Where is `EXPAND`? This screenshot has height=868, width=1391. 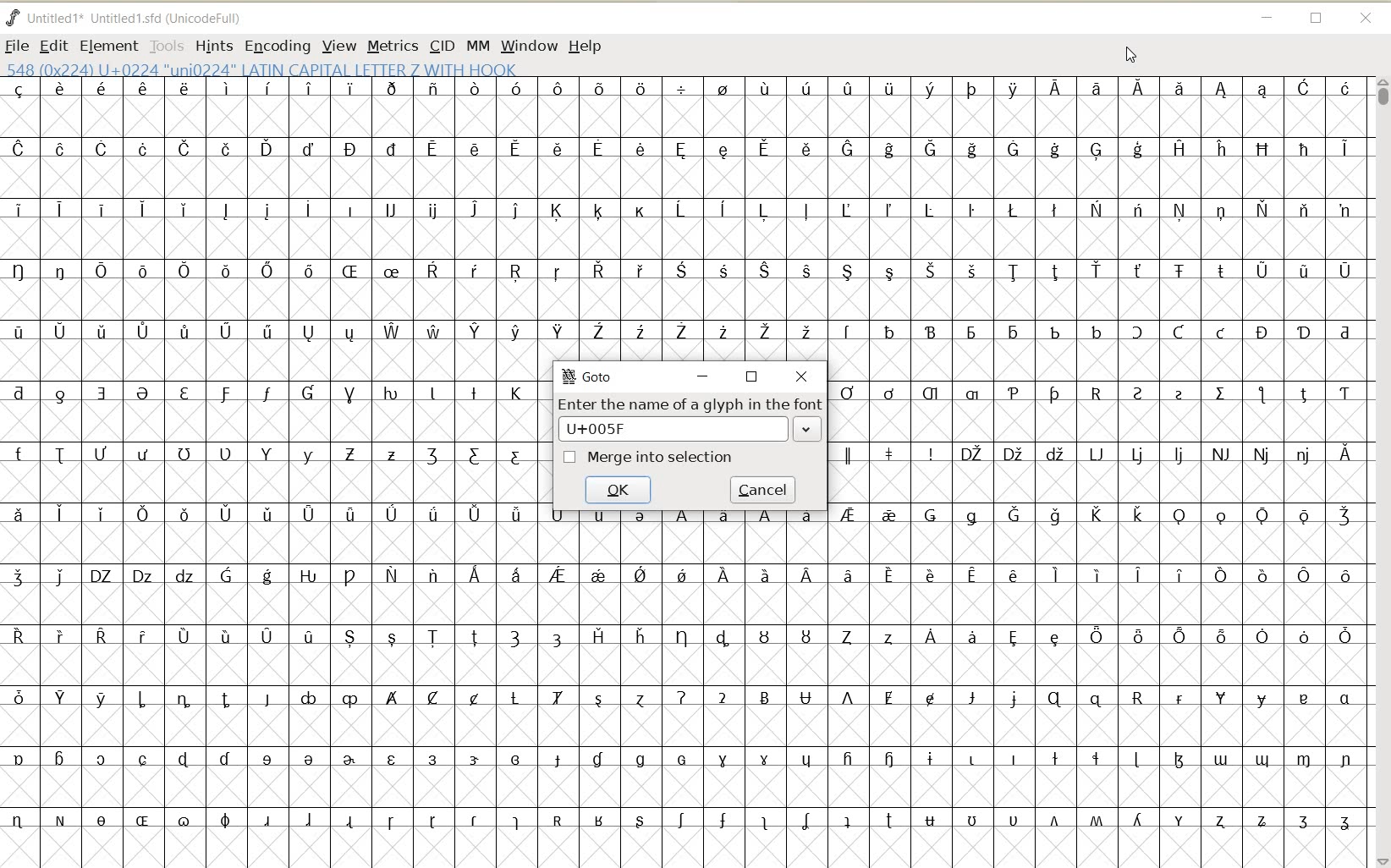 EXPAND is located at coordinates (806, 428).